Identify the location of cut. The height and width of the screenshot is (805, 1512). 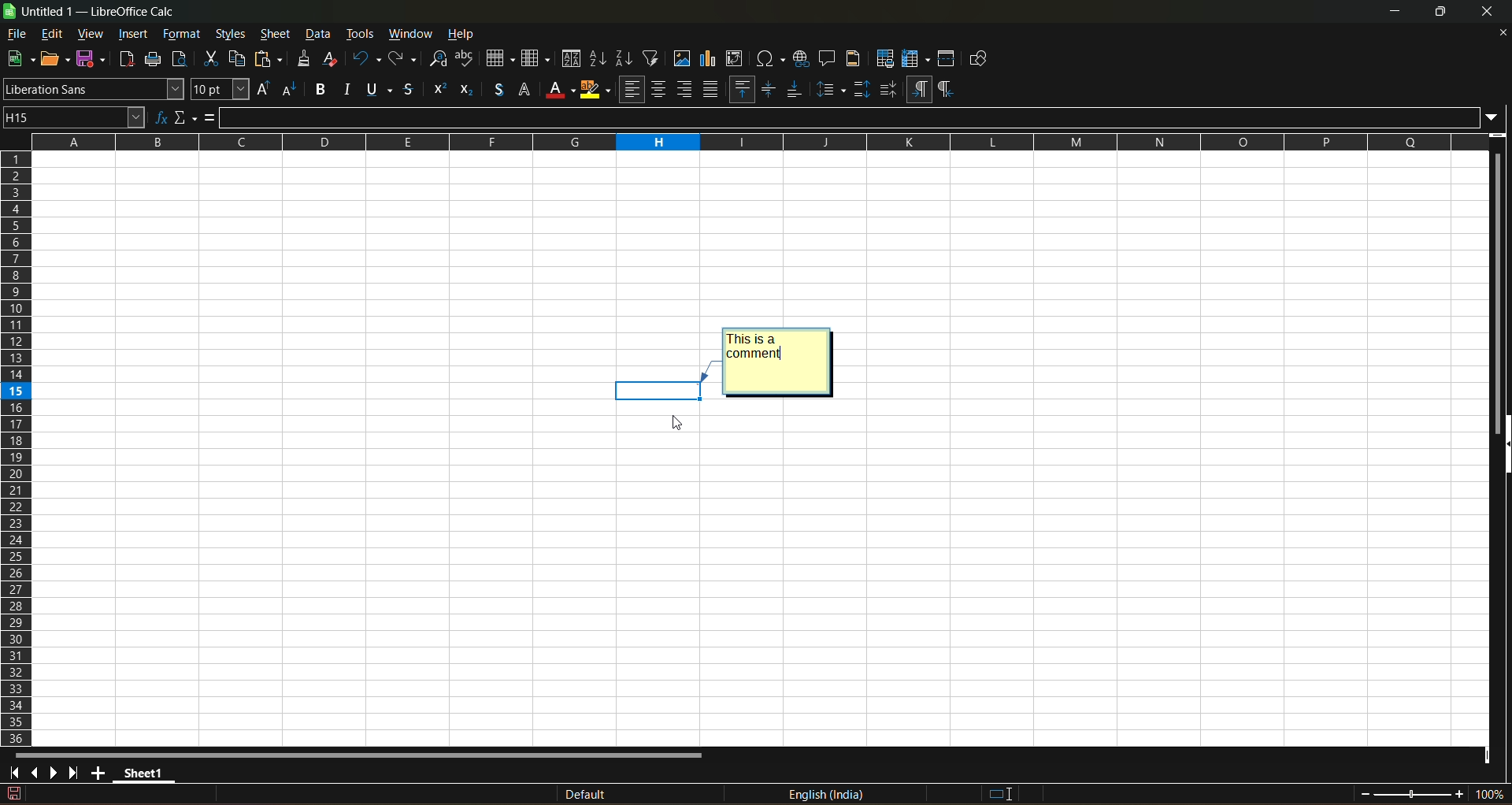
(210, 58).